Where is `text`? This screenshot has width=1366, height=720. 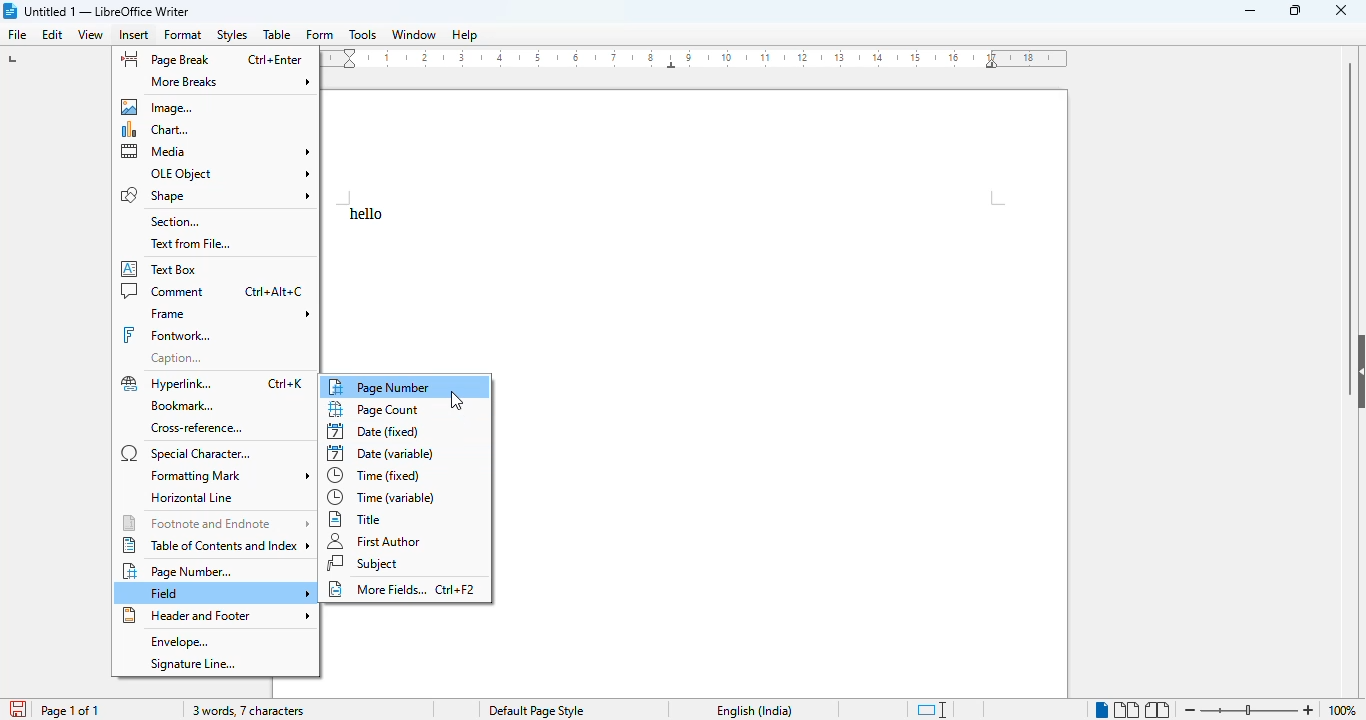 text is located at coordinates (367, 213).